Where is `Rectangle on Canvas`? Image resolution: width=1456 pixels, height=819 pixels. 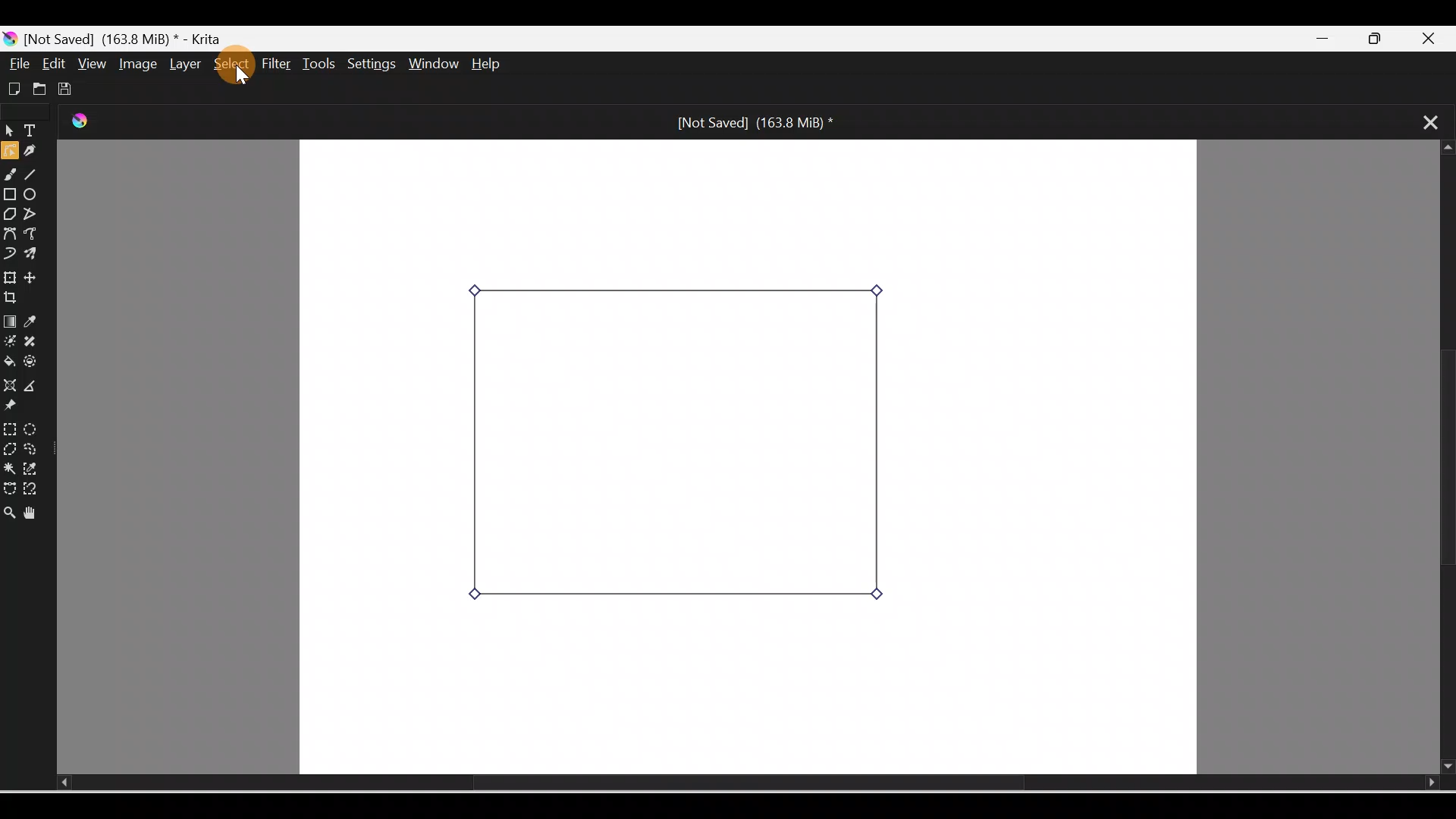 Rectangle on Canvas is located at coordinates (679, 445).